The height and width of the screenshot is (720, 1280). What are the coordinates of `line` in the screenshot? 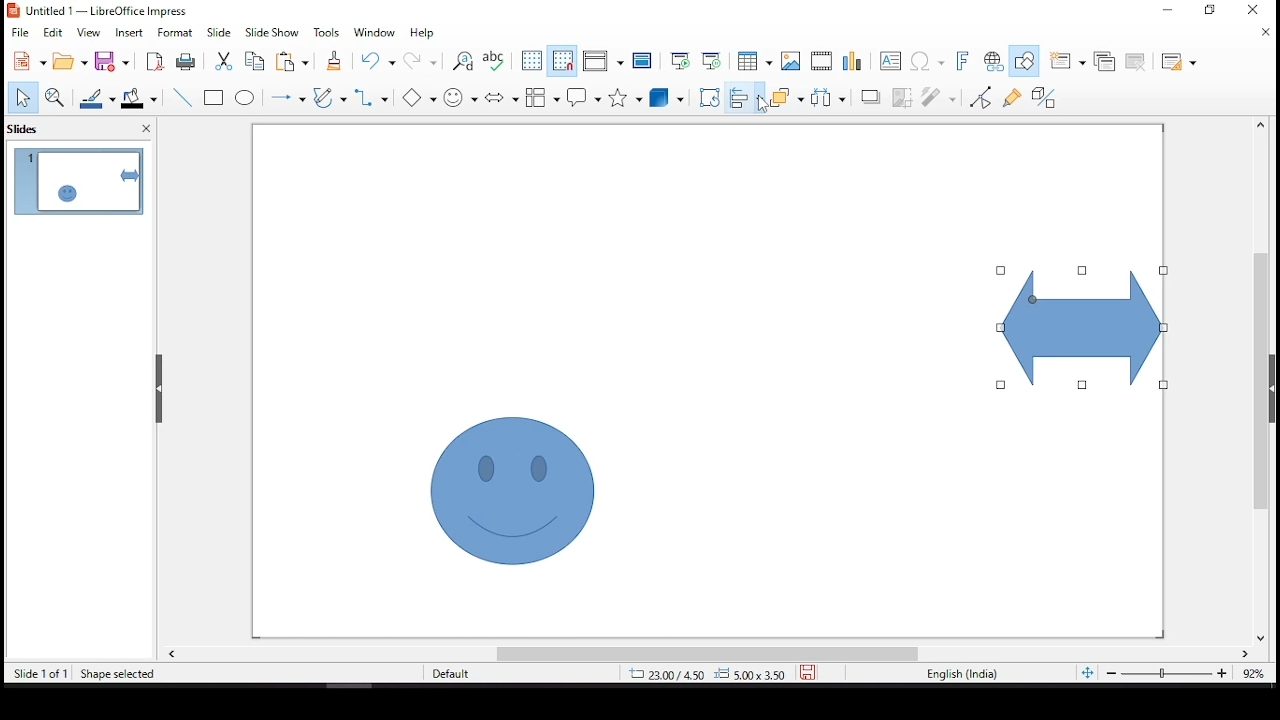 It's located at (183, 98).